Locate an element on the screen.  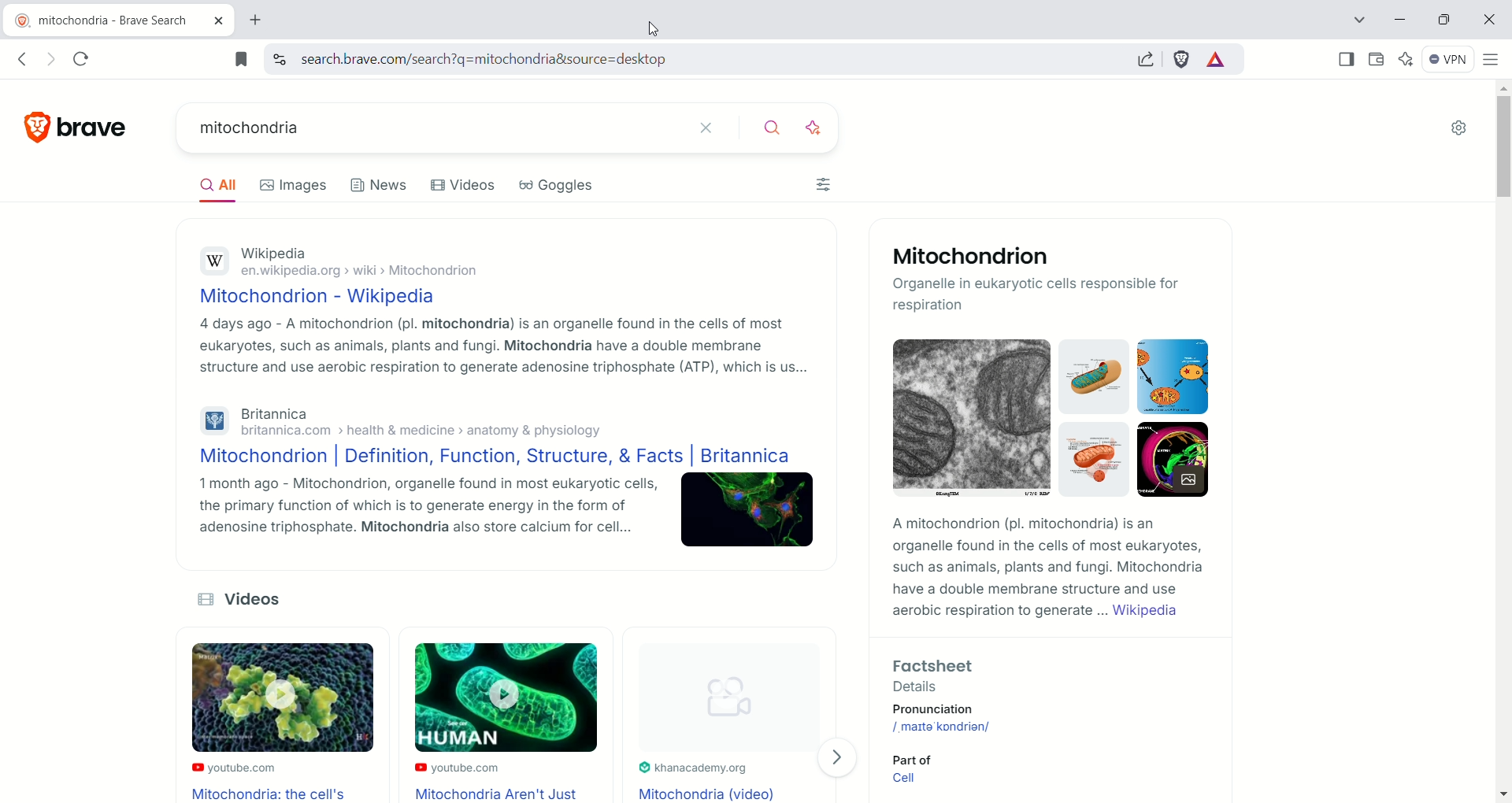
Image is located at coordinates (748, 513).